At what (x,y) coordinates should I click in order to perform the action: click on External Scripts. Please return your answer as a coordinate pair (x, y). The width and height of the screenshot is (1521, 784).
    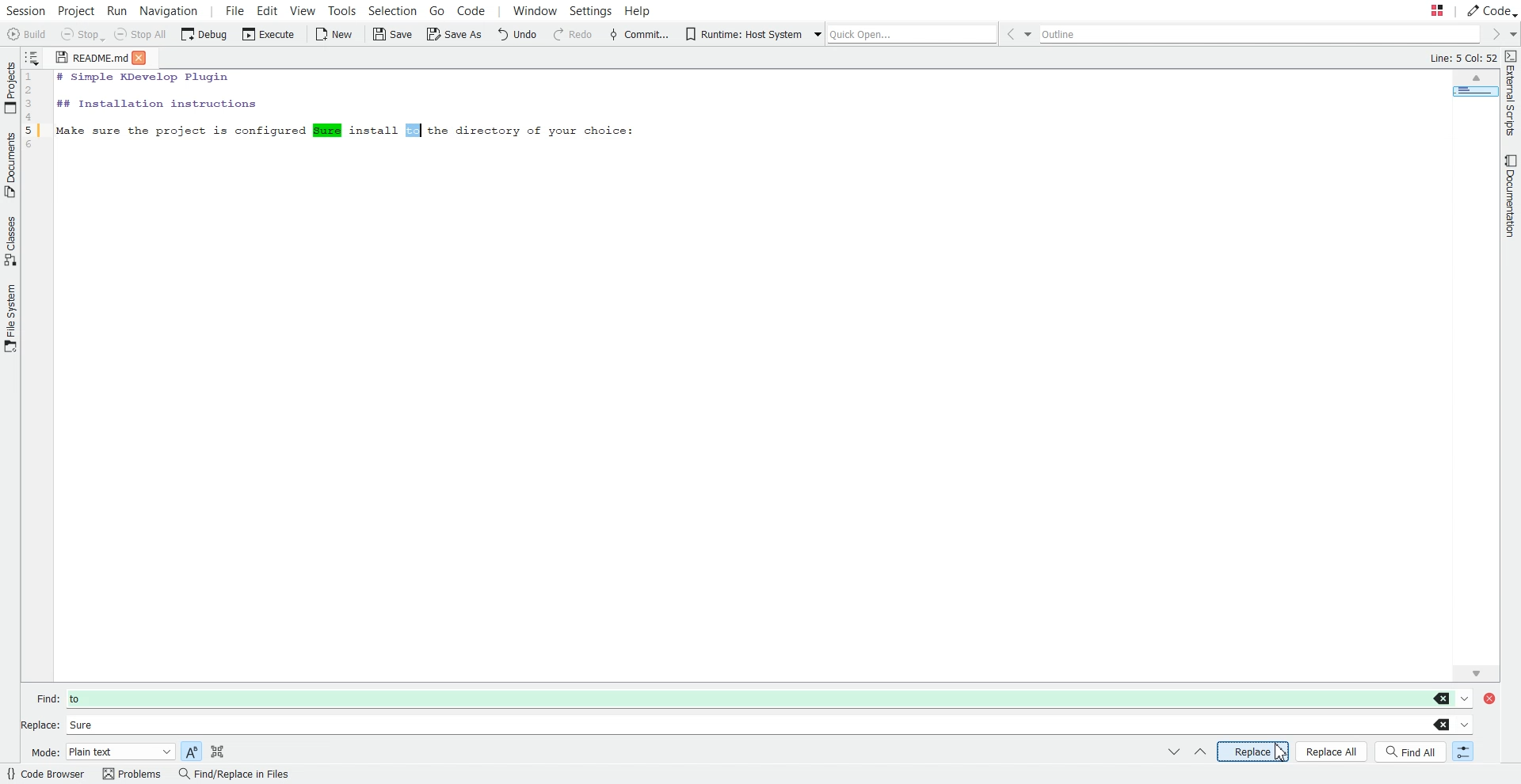
    Looking at the image, I should click on (1511, 93).